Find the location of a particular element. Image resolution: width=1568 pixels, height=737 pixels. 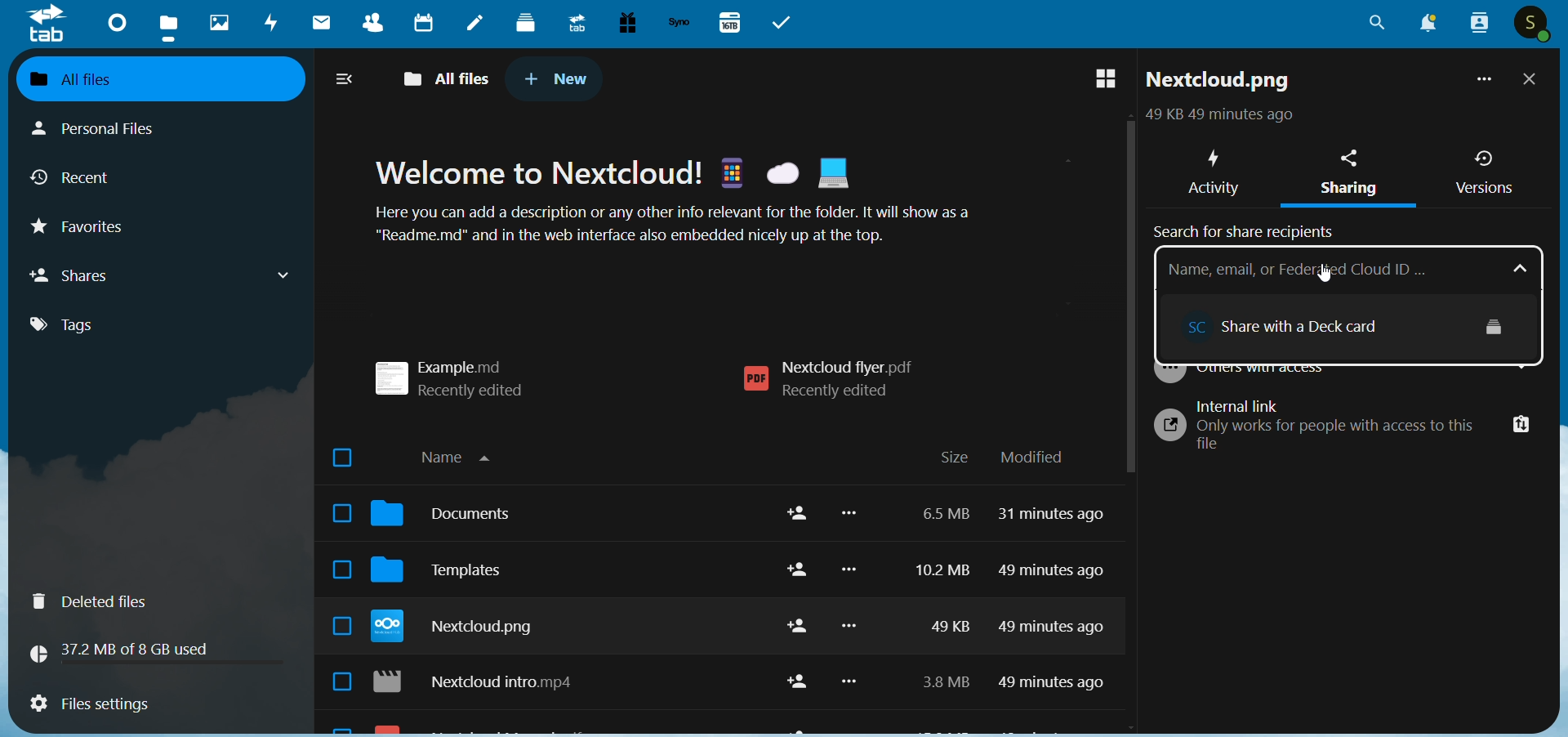

deleted files is located at coordinates (100, 601).